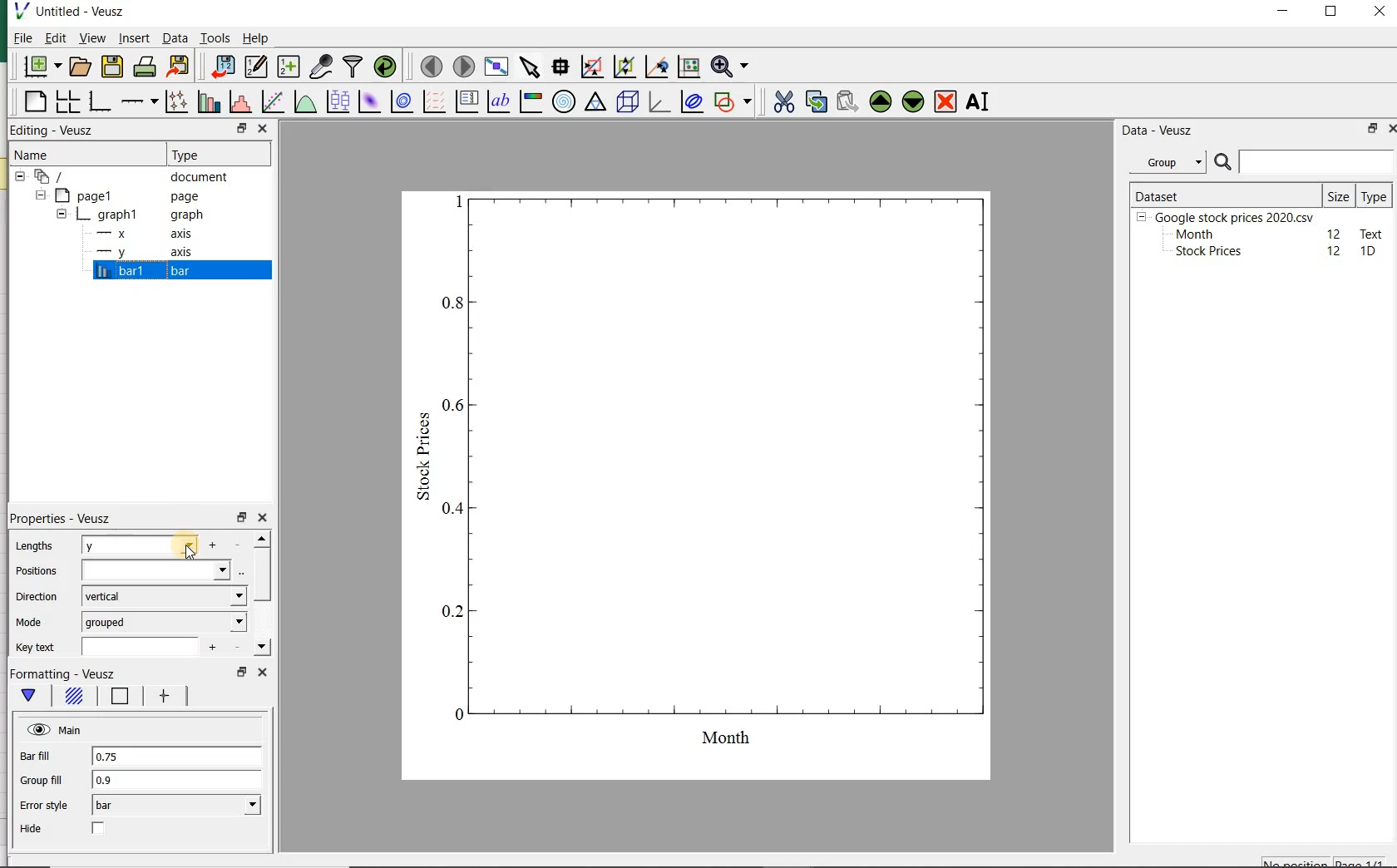 The width and height of the screenshot is (1397, 868). What do you see at coordinates (1201, 252) in the screenshot?
I see `Stock prices` at bounding box center [1201, 252].